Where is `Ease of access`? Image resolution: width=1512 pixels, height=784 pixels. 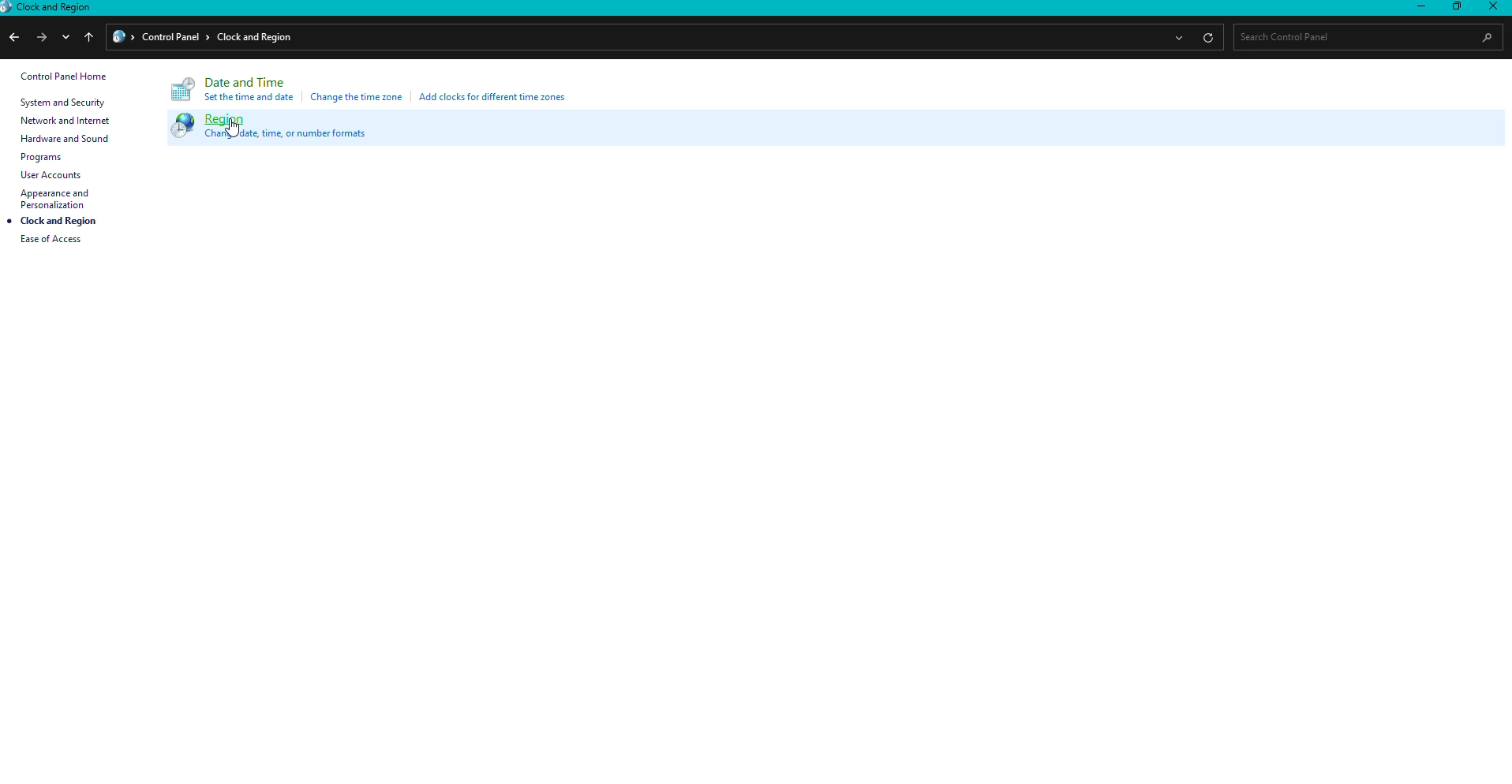 Ease of access is located at coordinates (58, 243).